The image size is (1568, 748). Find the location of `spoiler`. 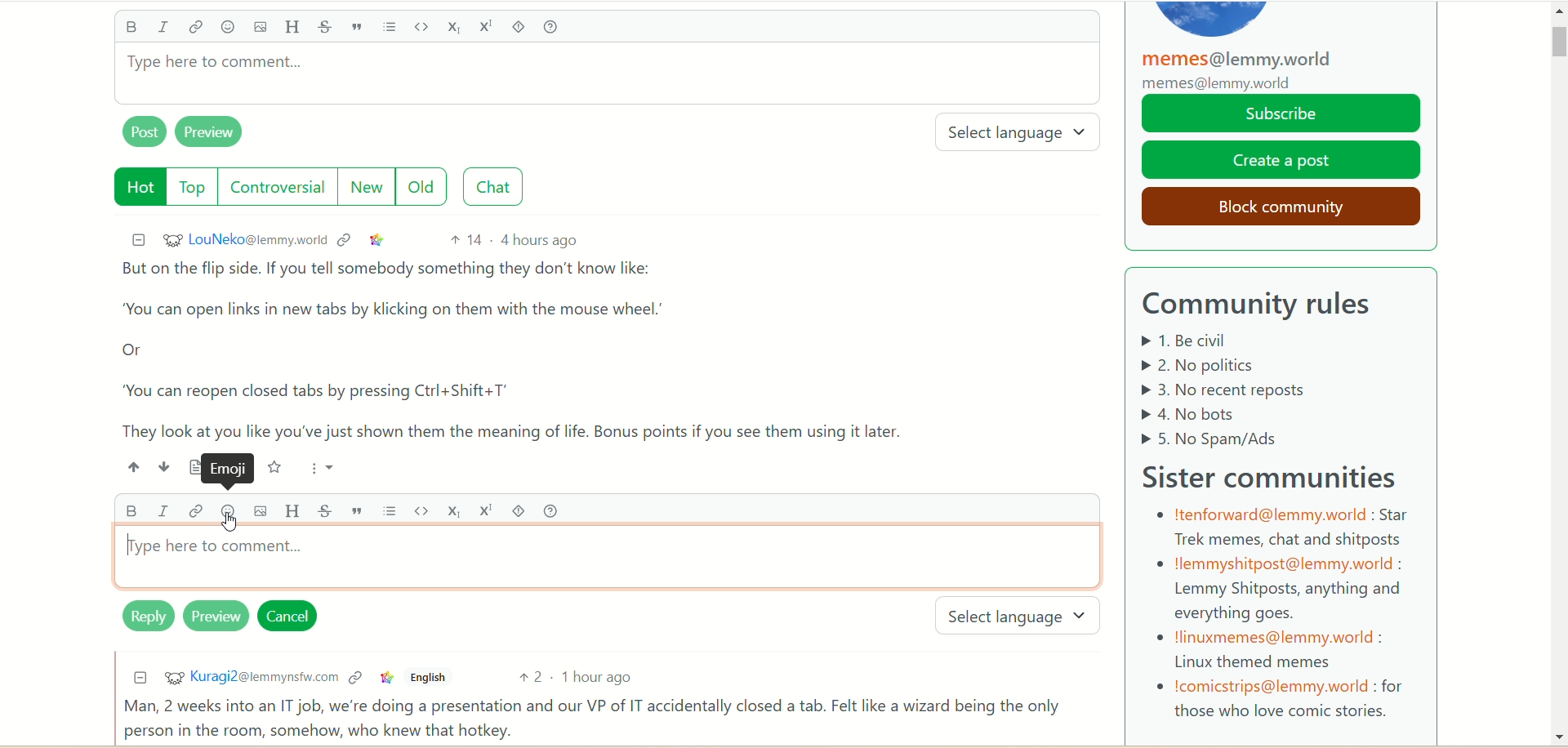

spoiler is located at coordinates (516, 510).